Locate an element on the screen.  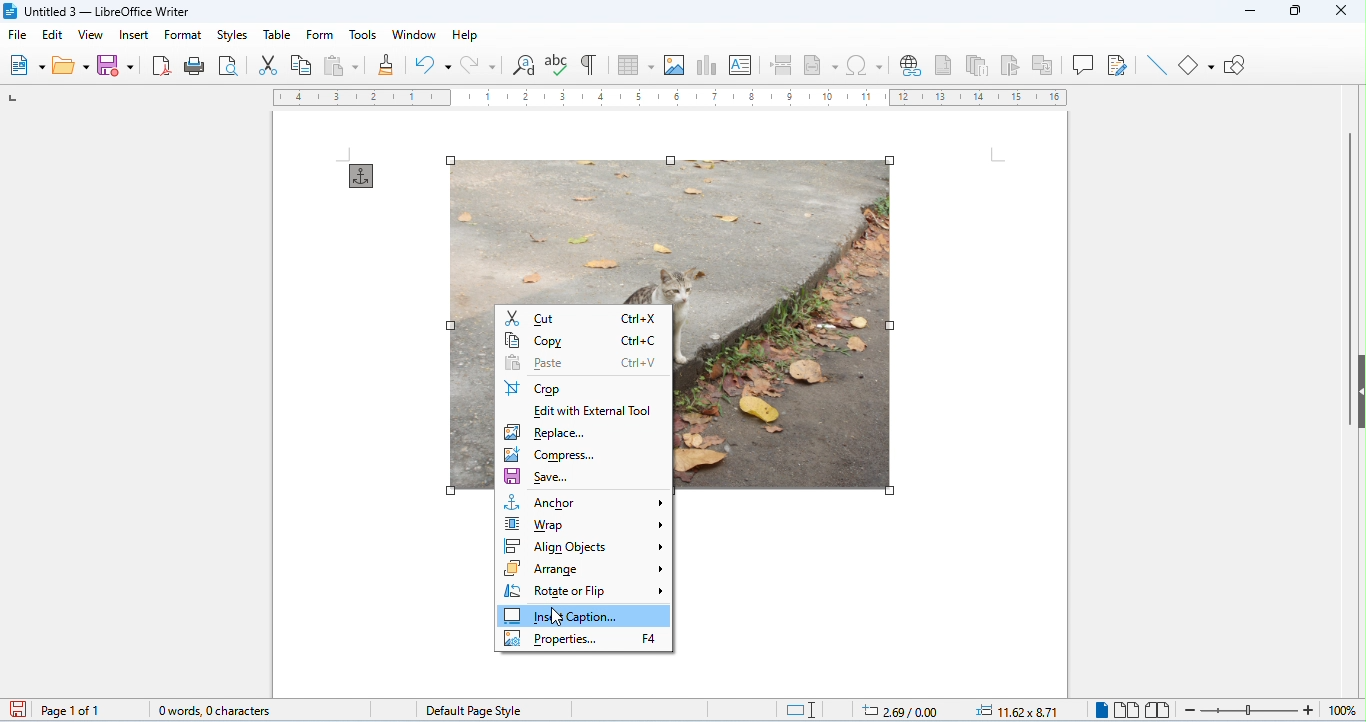
page break is located at coordinates (784, 65).